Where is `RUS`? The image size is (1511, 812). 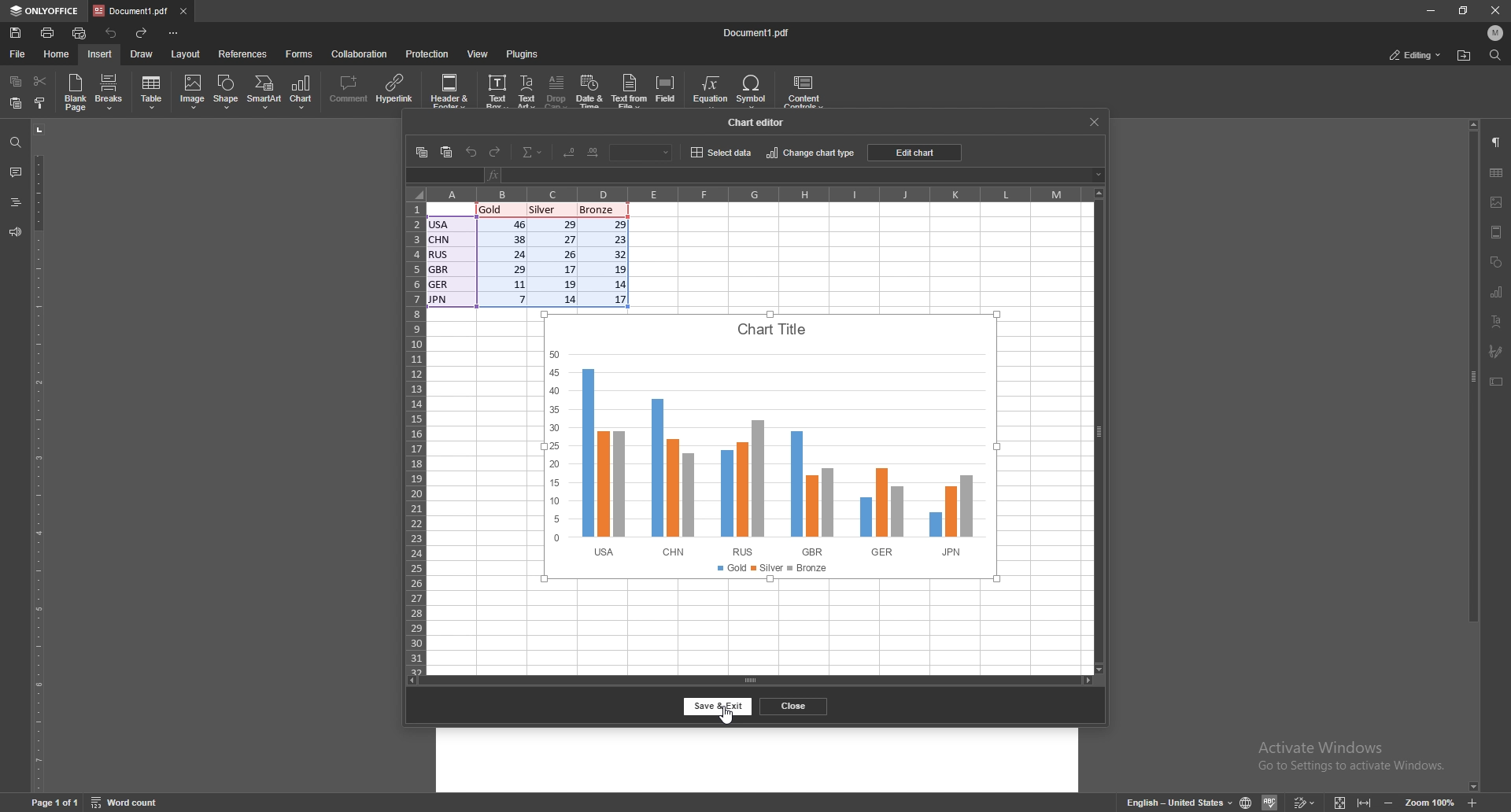
RUS is located at coordinates (439, 254).